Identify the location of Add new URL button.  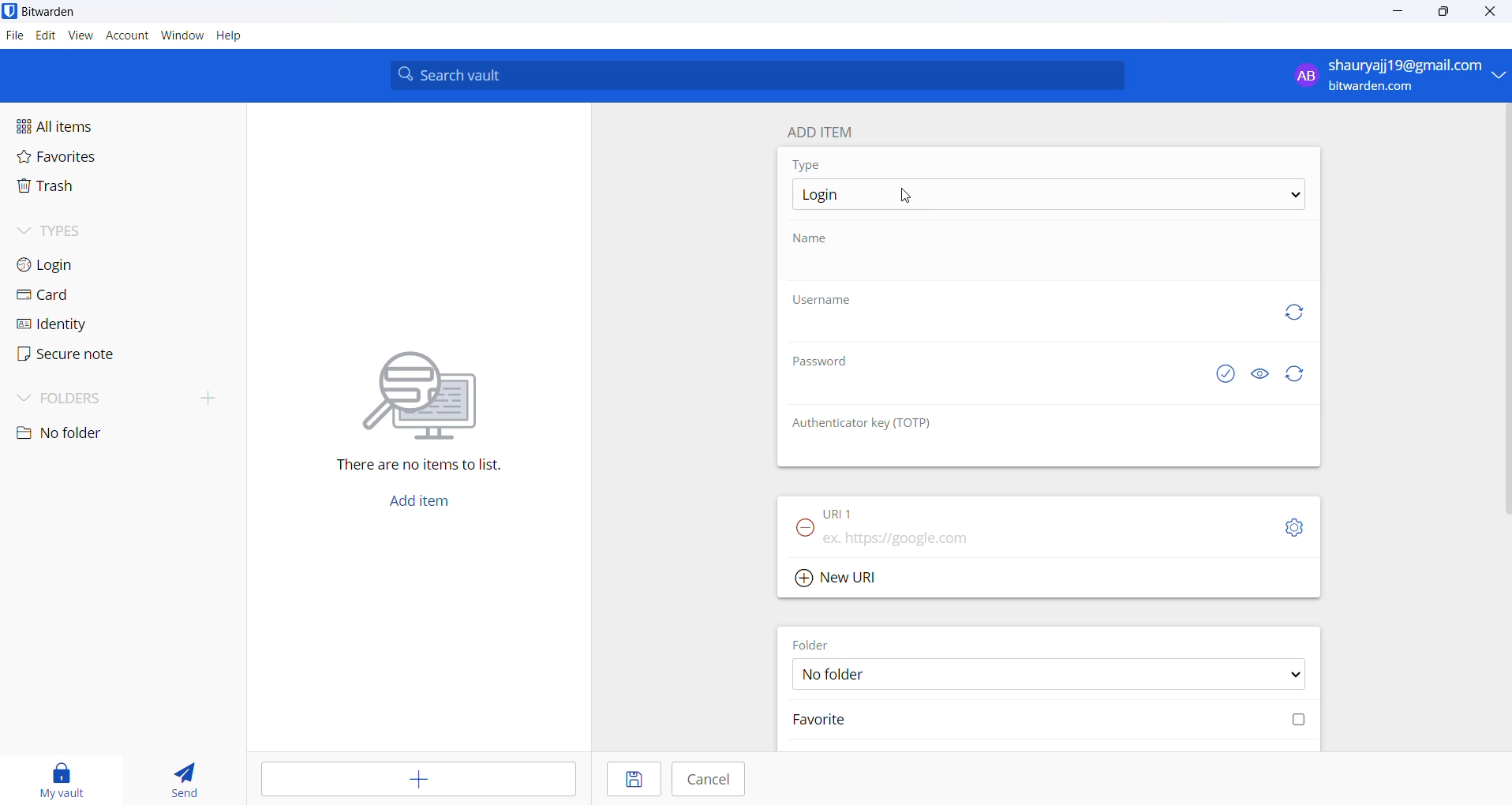
(830, 579).